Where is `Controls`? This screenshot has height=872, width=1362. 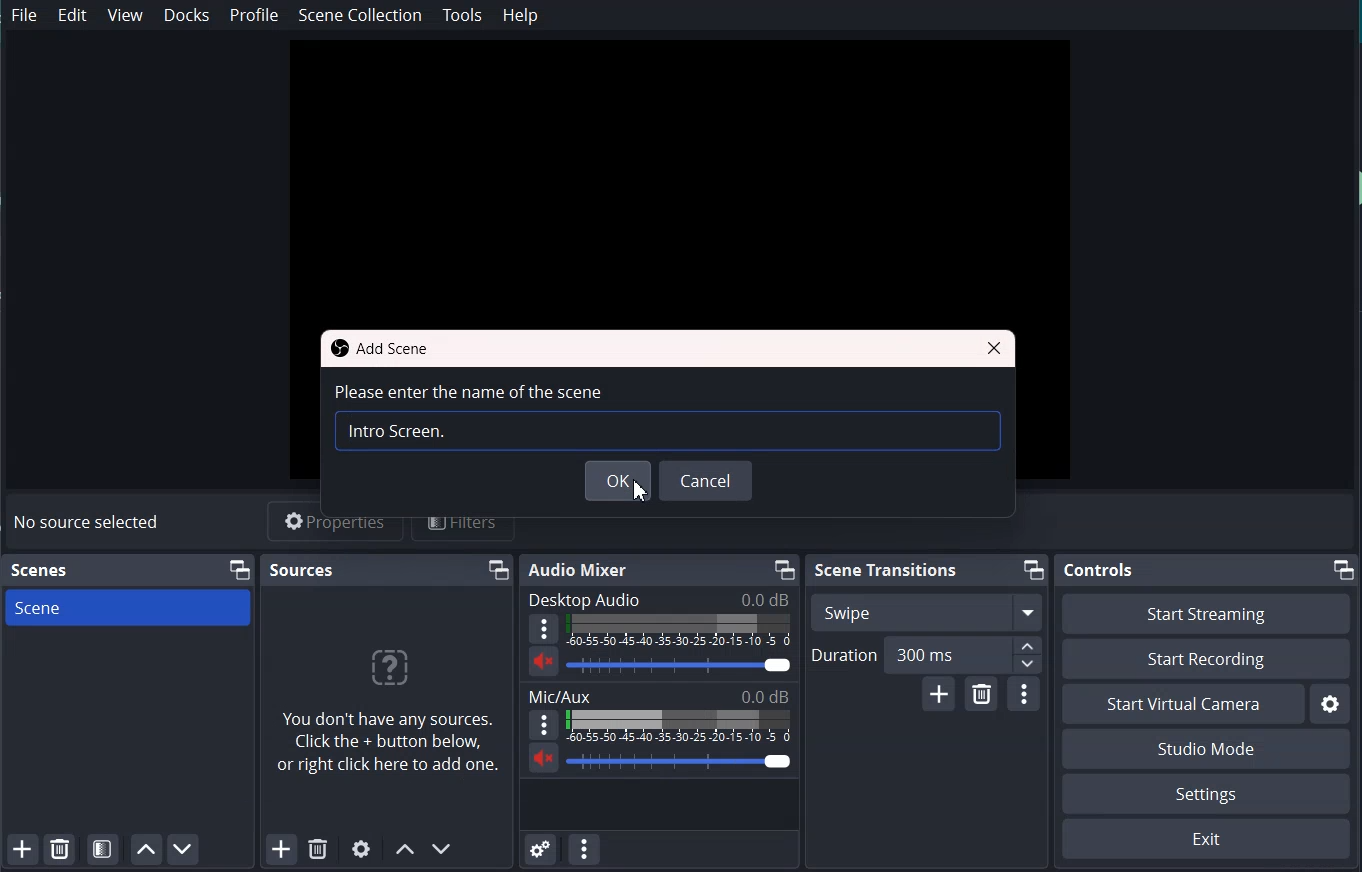 Controls is located at coordinates (1101, 570).